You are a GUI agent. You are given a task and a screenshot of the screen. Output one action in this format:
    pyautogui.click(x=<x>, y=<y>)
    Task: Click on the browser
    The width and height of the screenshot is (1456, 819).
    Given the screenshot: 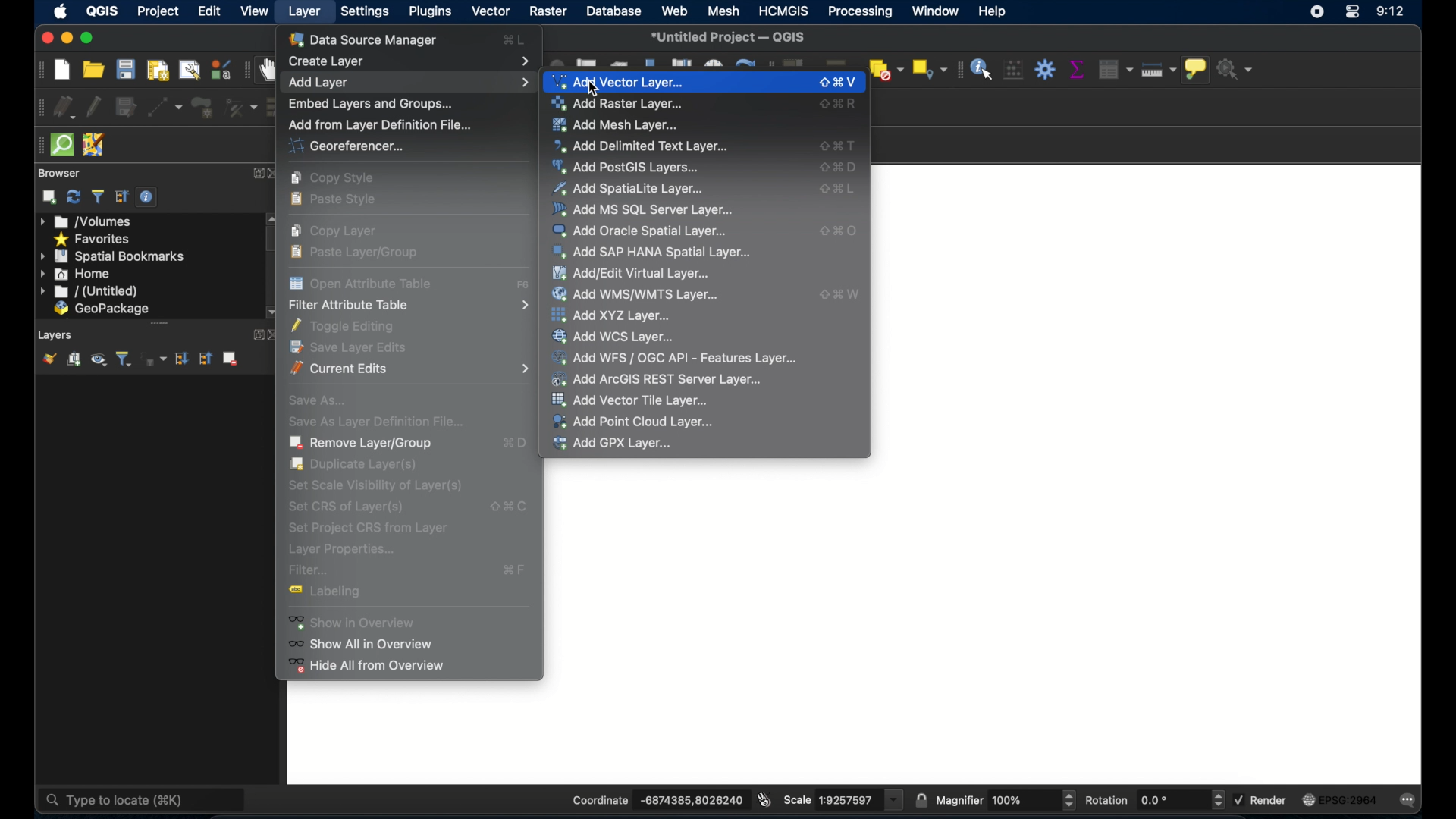 What is the action you would take?
    pyautogui.click(x=62, y=173)
    